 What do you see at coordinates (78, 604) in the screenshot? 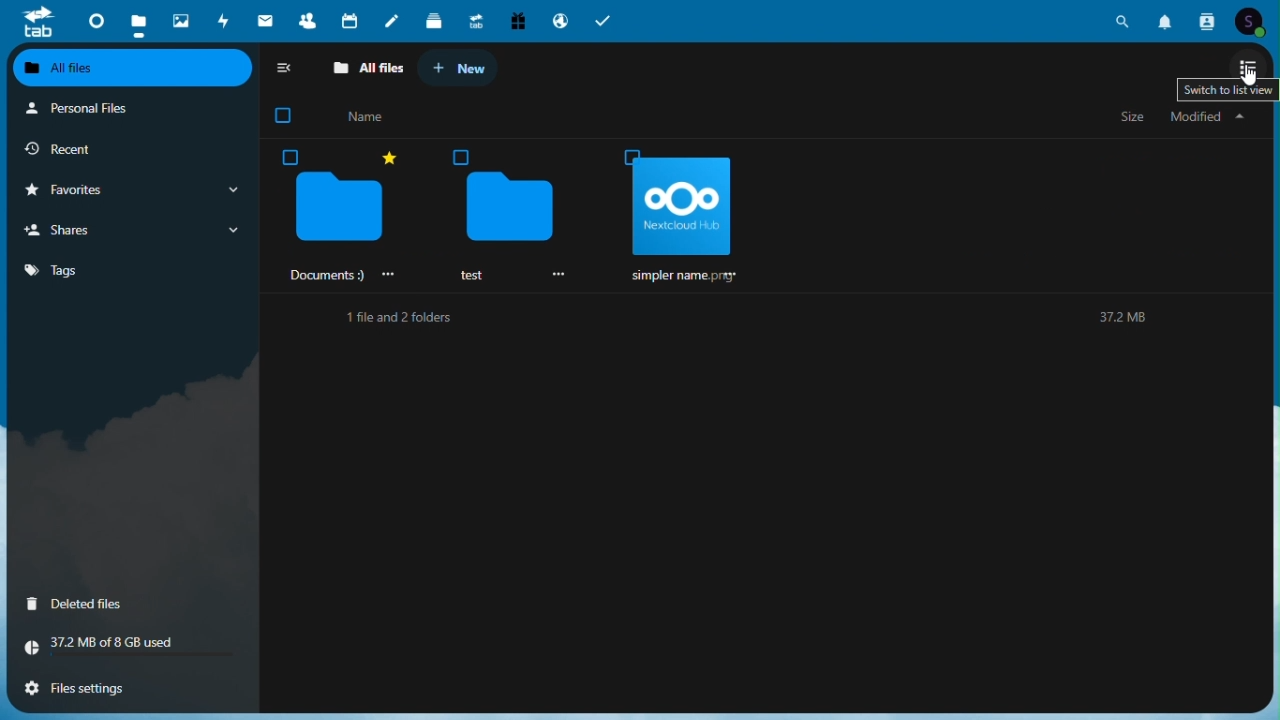
I see `Deleted files` at bounding box center [78, 604].